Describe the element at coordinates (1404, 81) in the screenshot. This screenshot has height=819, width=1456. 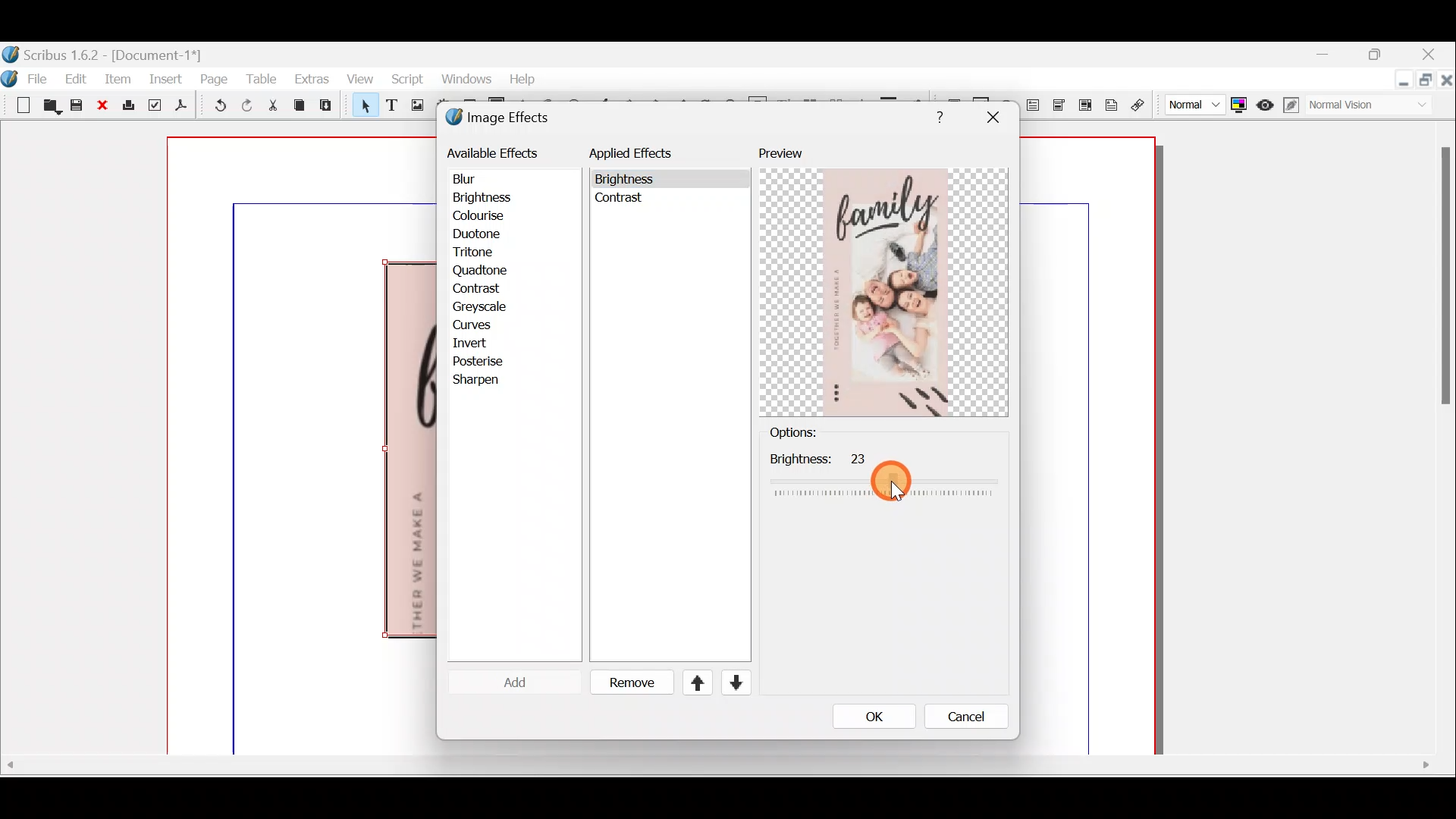
I see `Minimise` at that location.